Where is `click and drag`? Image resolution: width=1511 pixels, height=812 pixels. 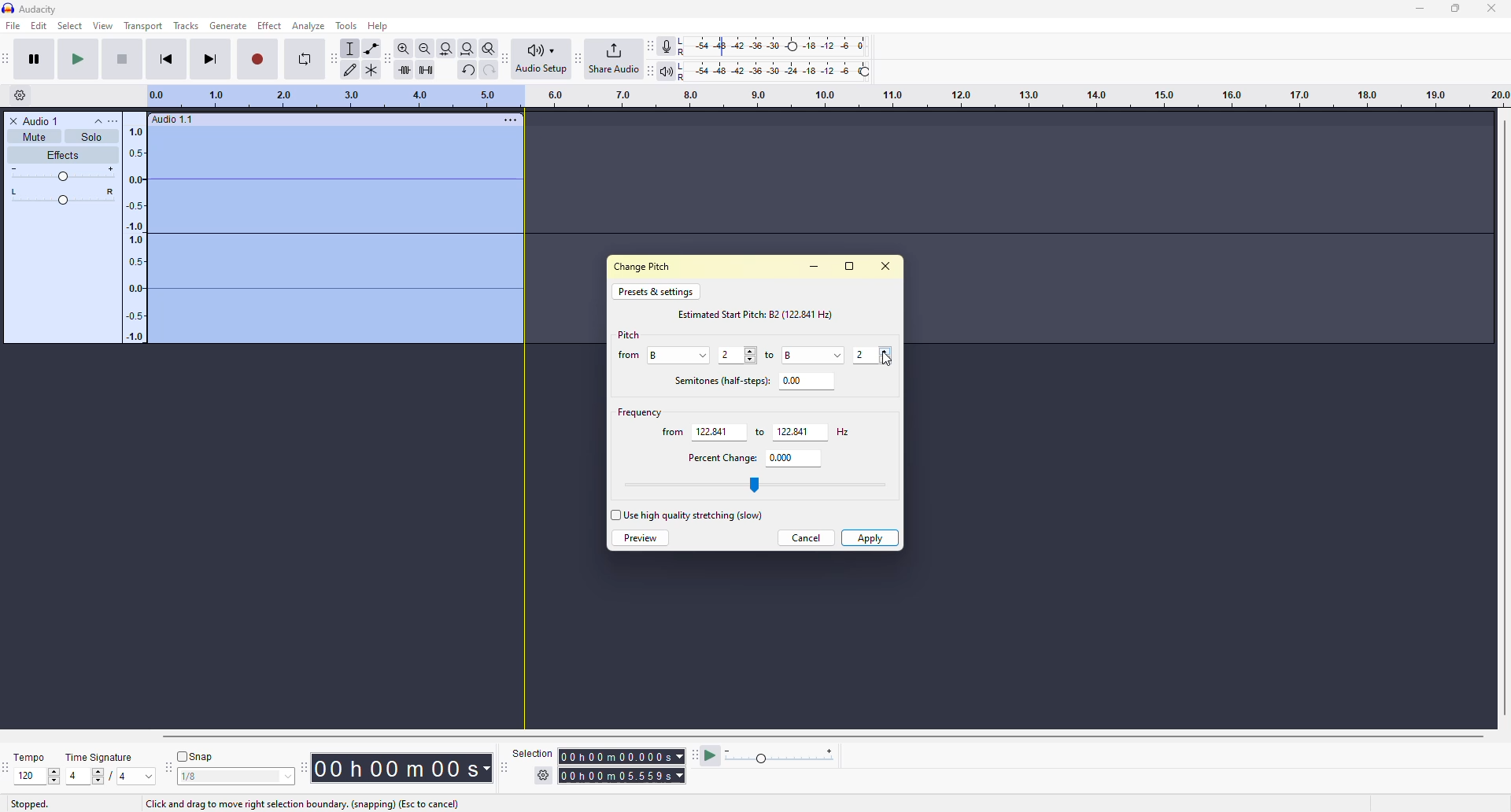 click and drag is located at coordinates (299, 802).